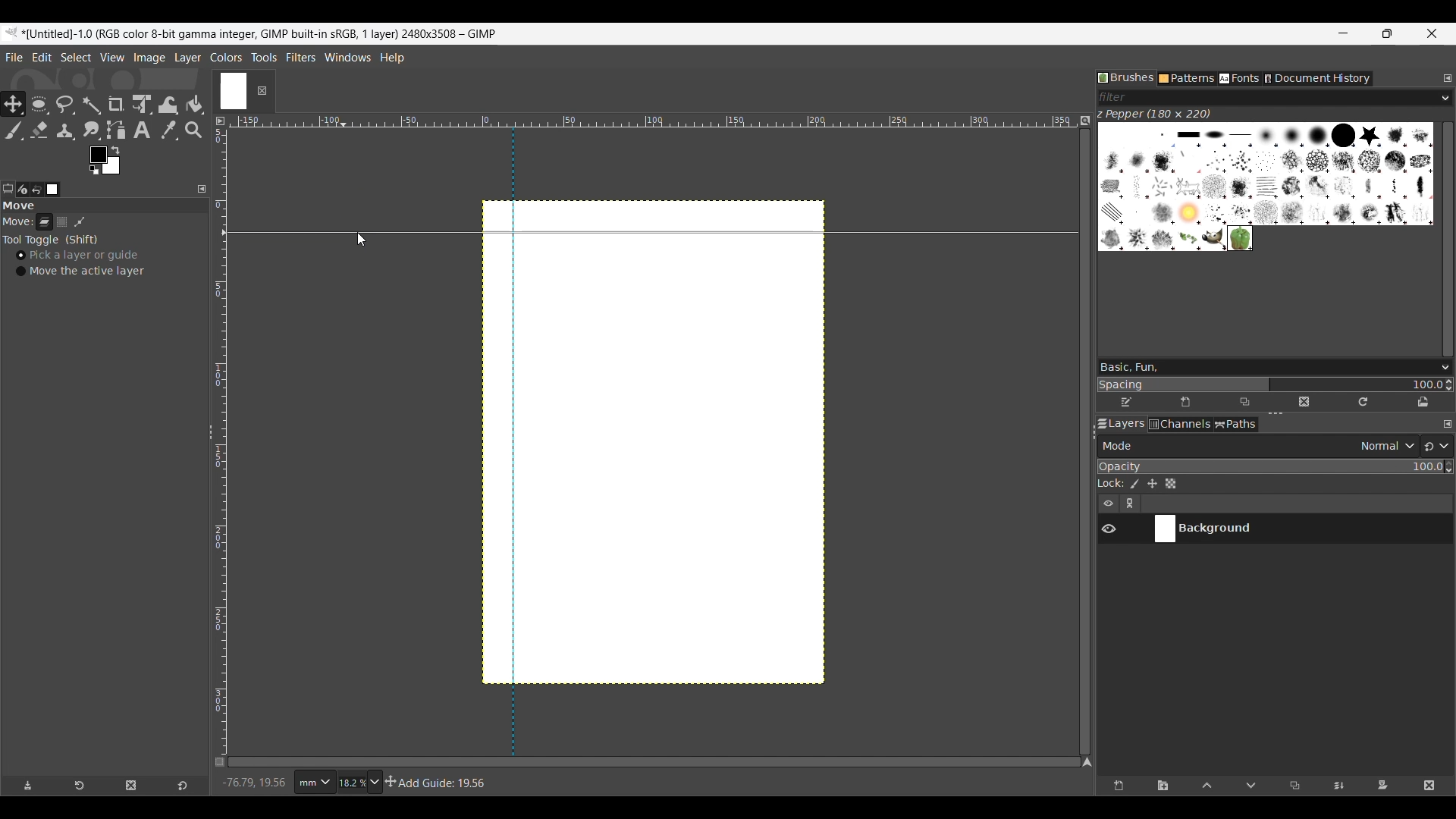 Image resolution: width=1456 pixels, height=819 pixels. I want to click on Lock pixels, so click(1134, 484).